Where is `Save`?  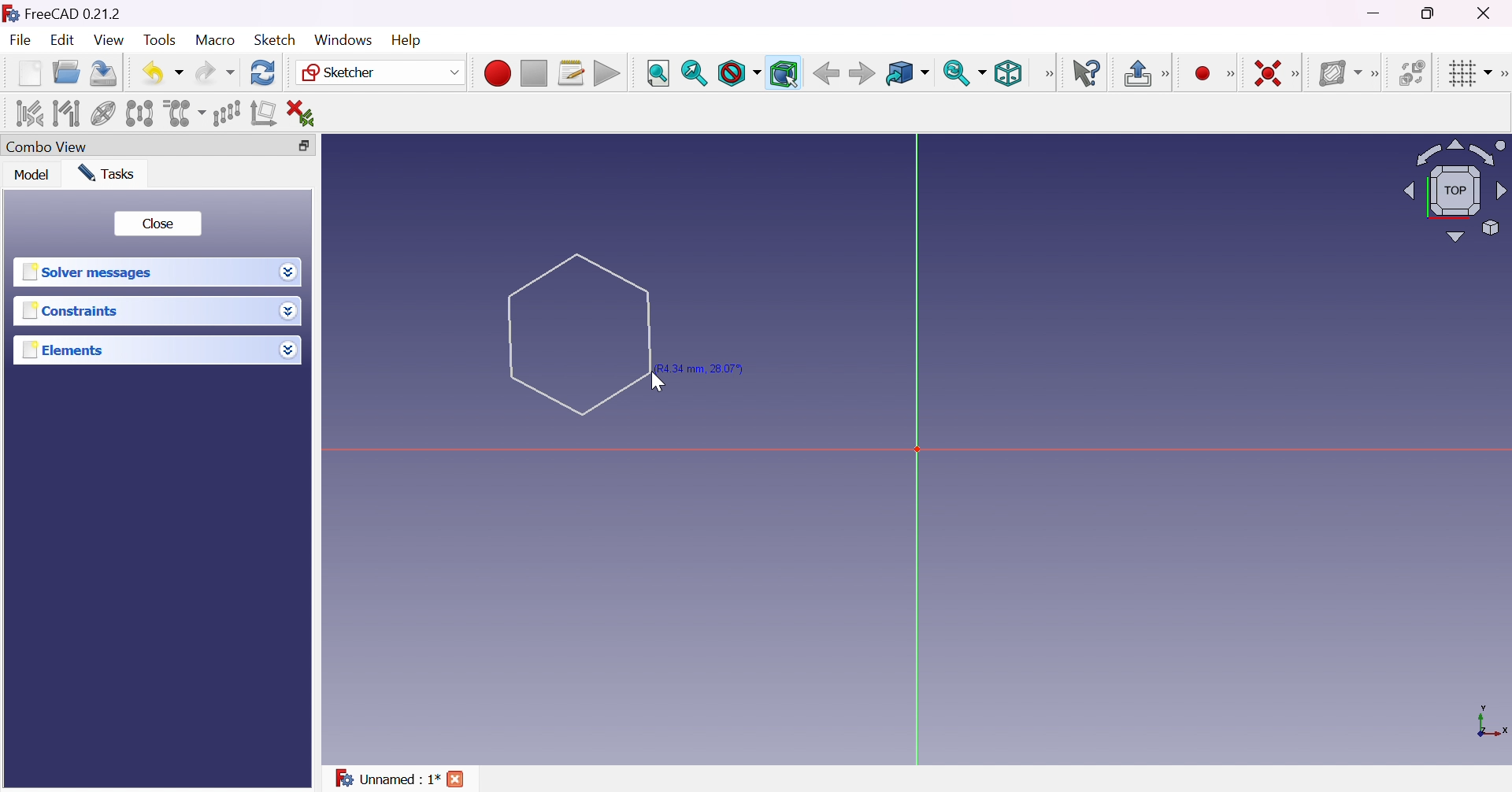 Save is located at coordinates (104, 73).